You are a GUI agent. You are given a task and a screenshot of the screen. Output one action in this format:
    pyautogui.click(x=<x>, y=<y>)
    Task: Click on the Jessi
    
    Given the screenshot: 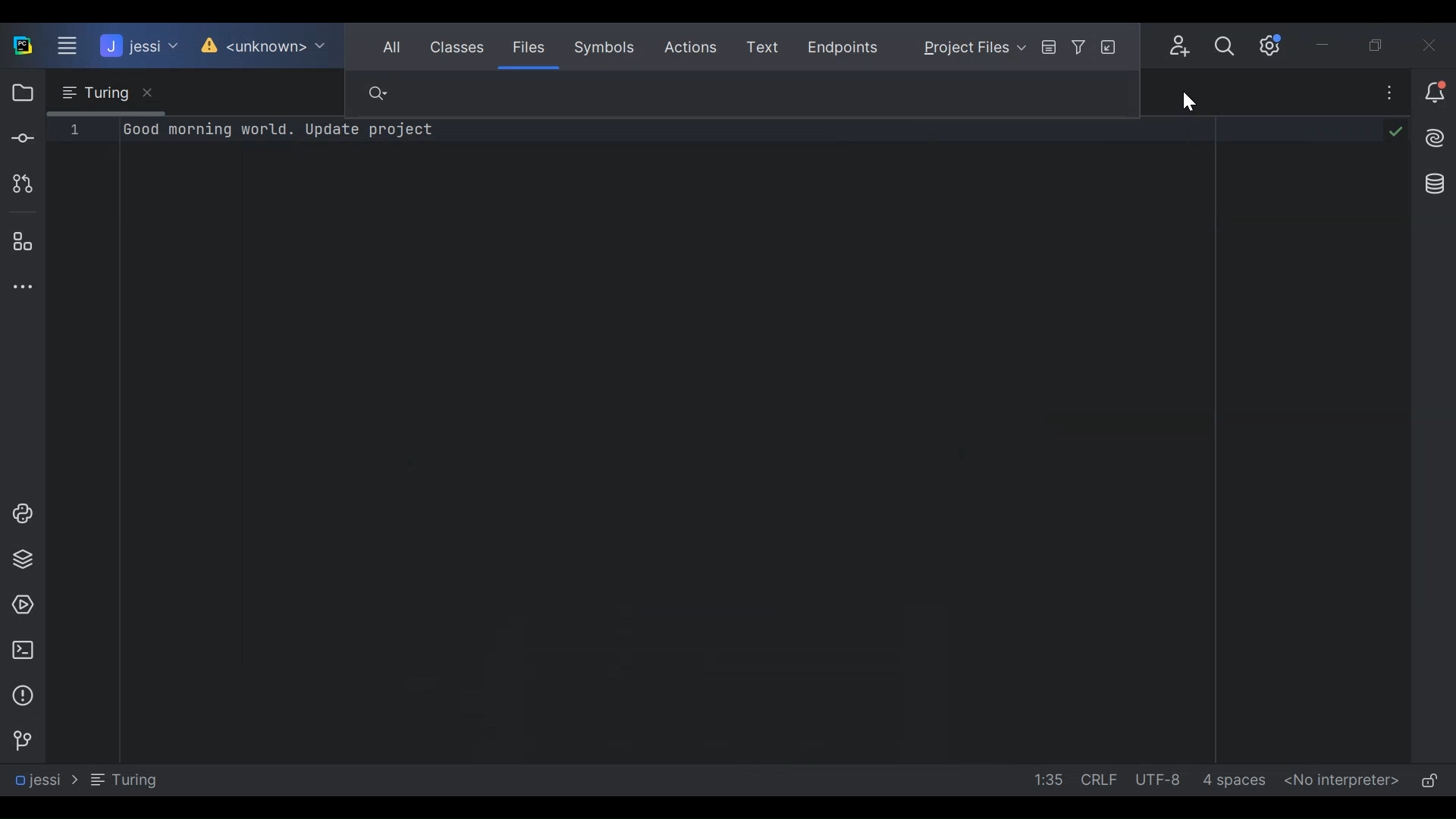 What is the action you would take?
    pyautogui.click(x=137, y=47)
    